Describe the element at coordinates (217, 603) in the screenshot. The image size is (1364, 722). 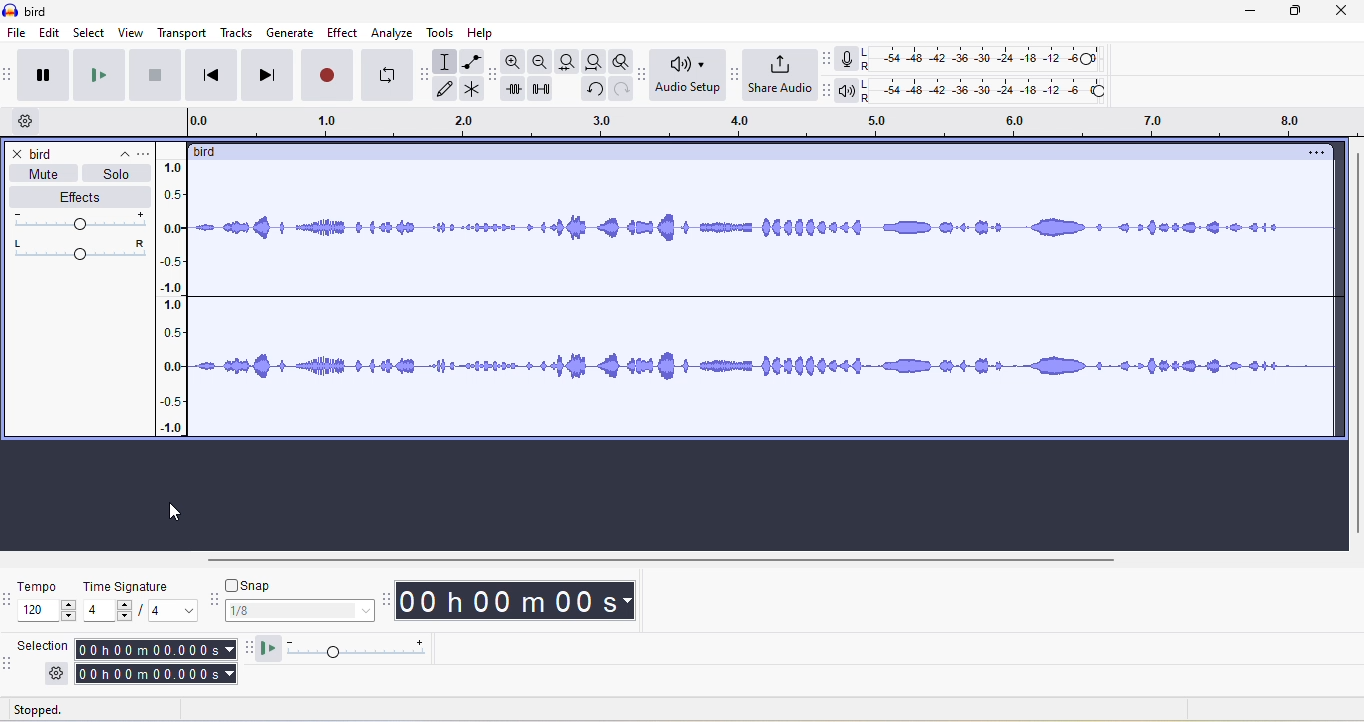
I see `audacity snapping toolbar` at that location.